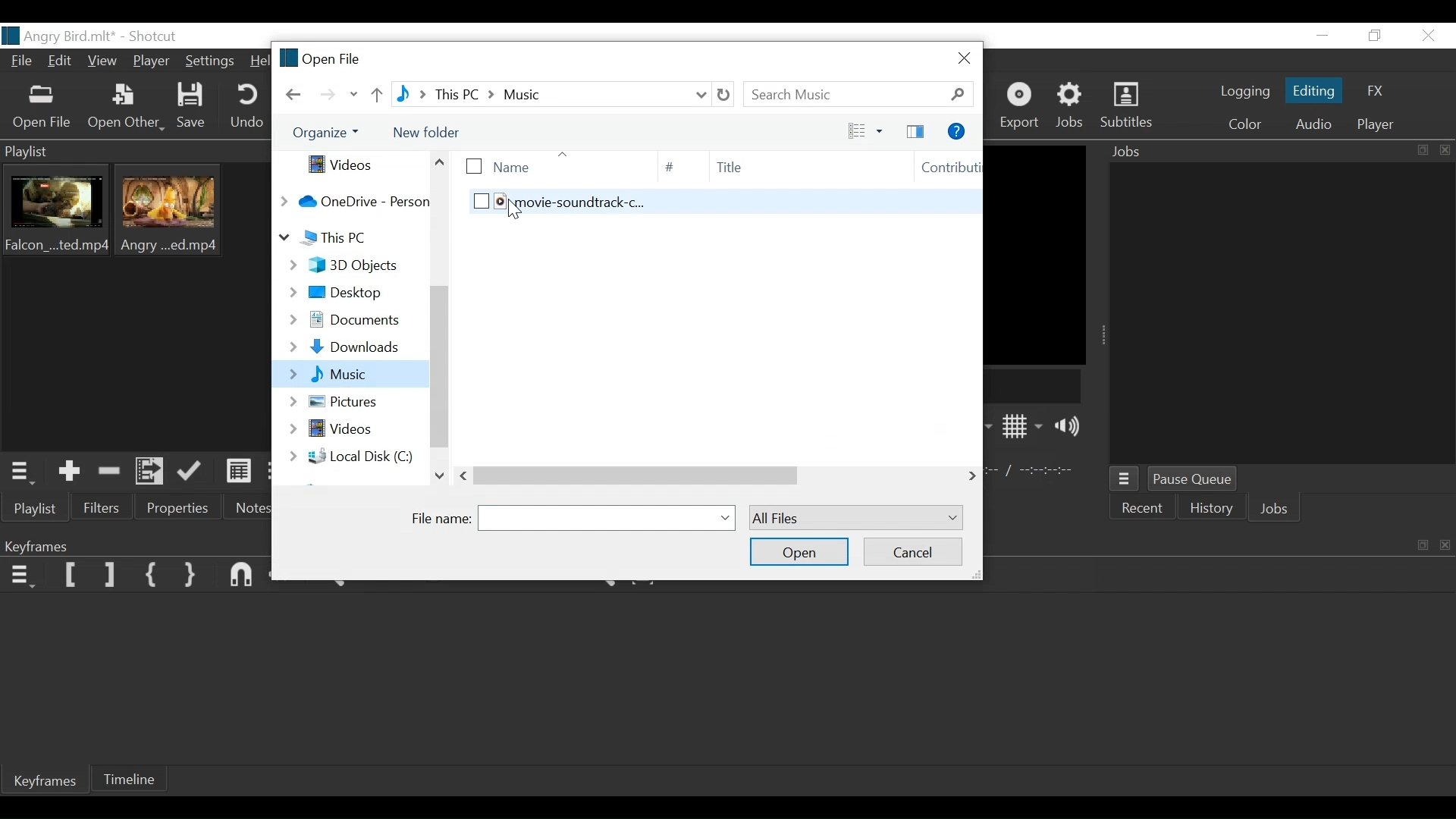  I want to click on Edit, so click(62, 63).